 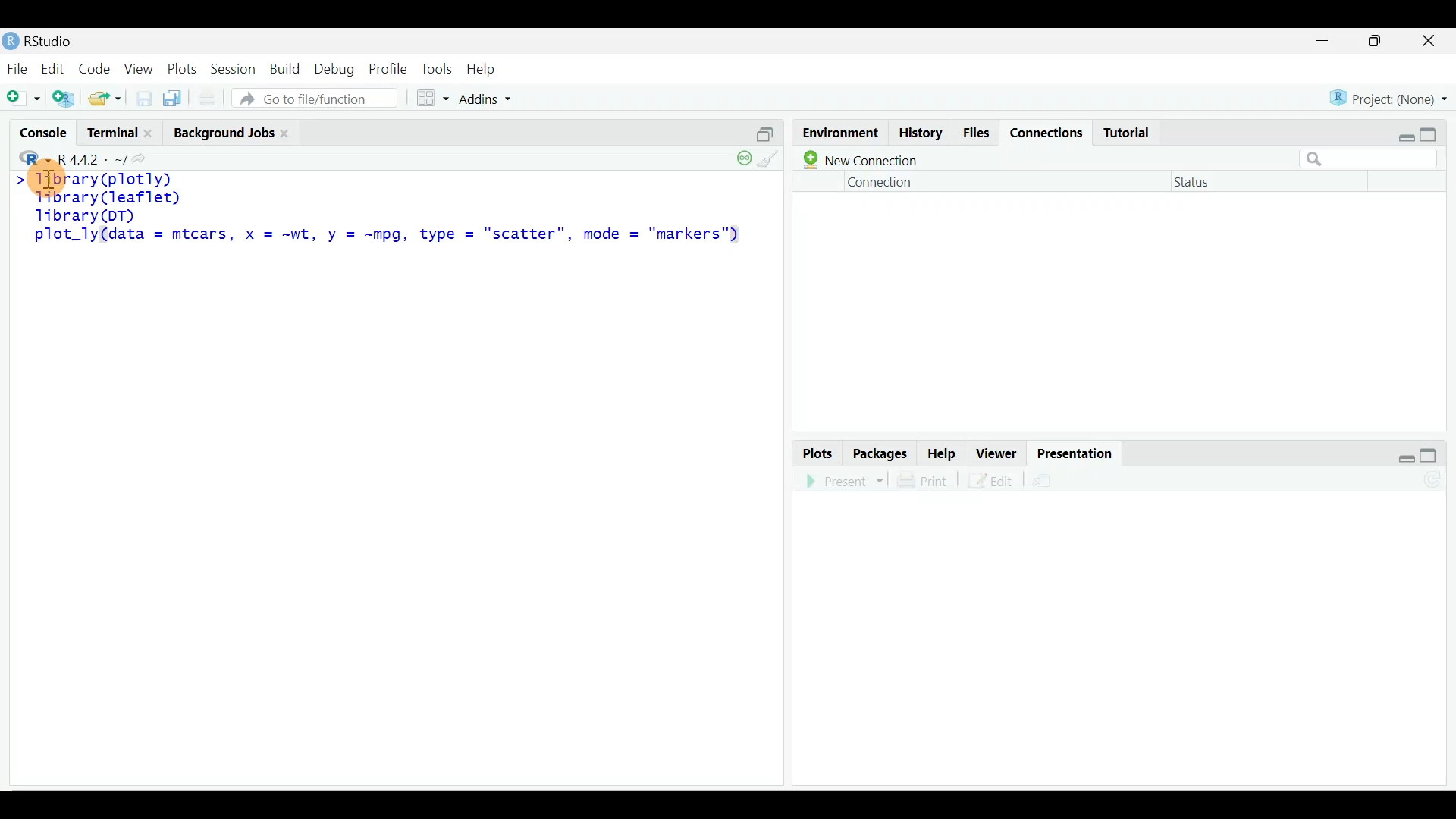 What do you see at coordinates (773, 162) in the screenshot?
I see `clear console` at bounding box center [773, 162].